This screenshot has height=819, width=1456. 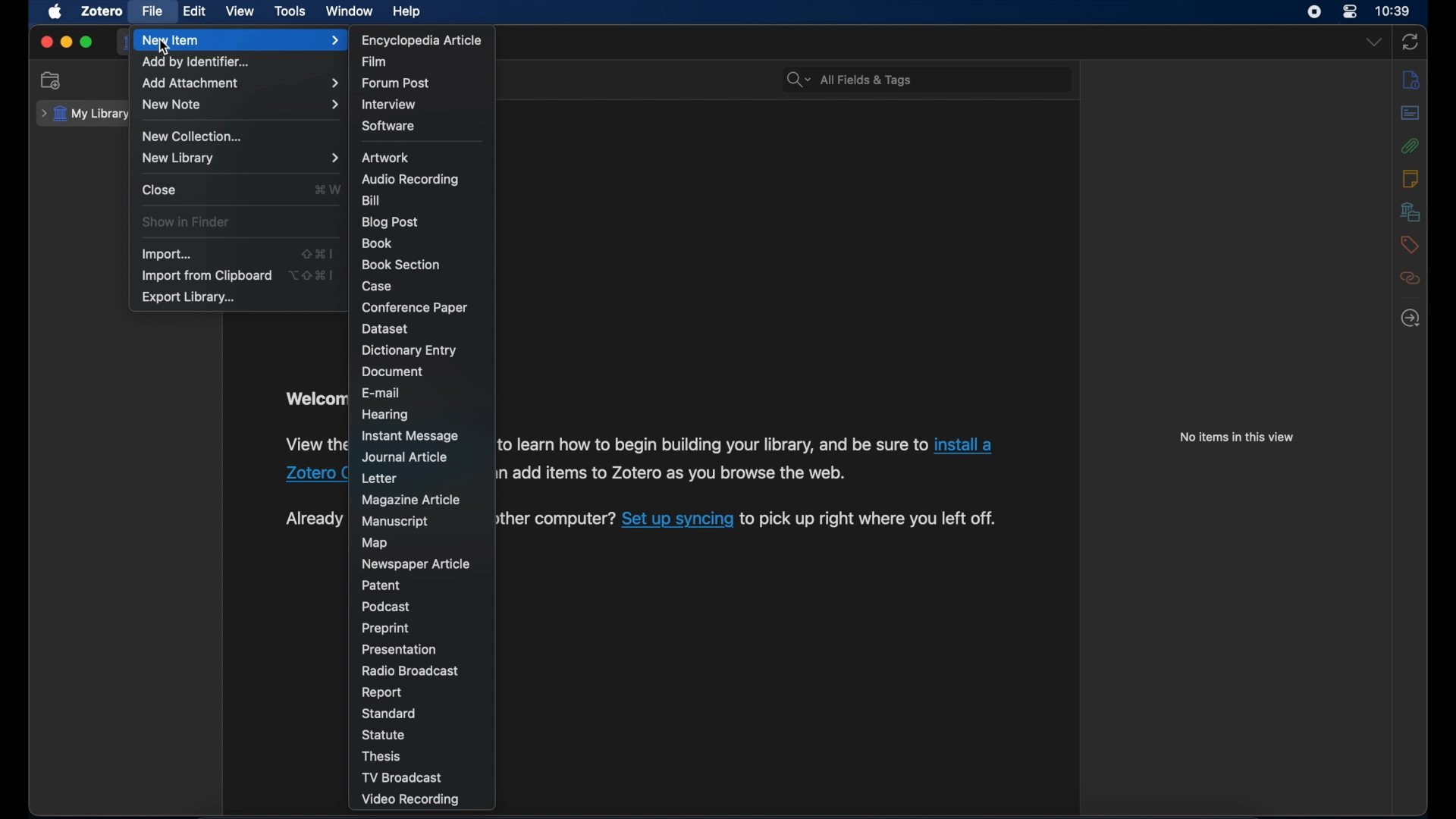 What do you see at coordinates (1407, 245) in the screenshot?
I see `tags` at bounding box center [1407, 245].